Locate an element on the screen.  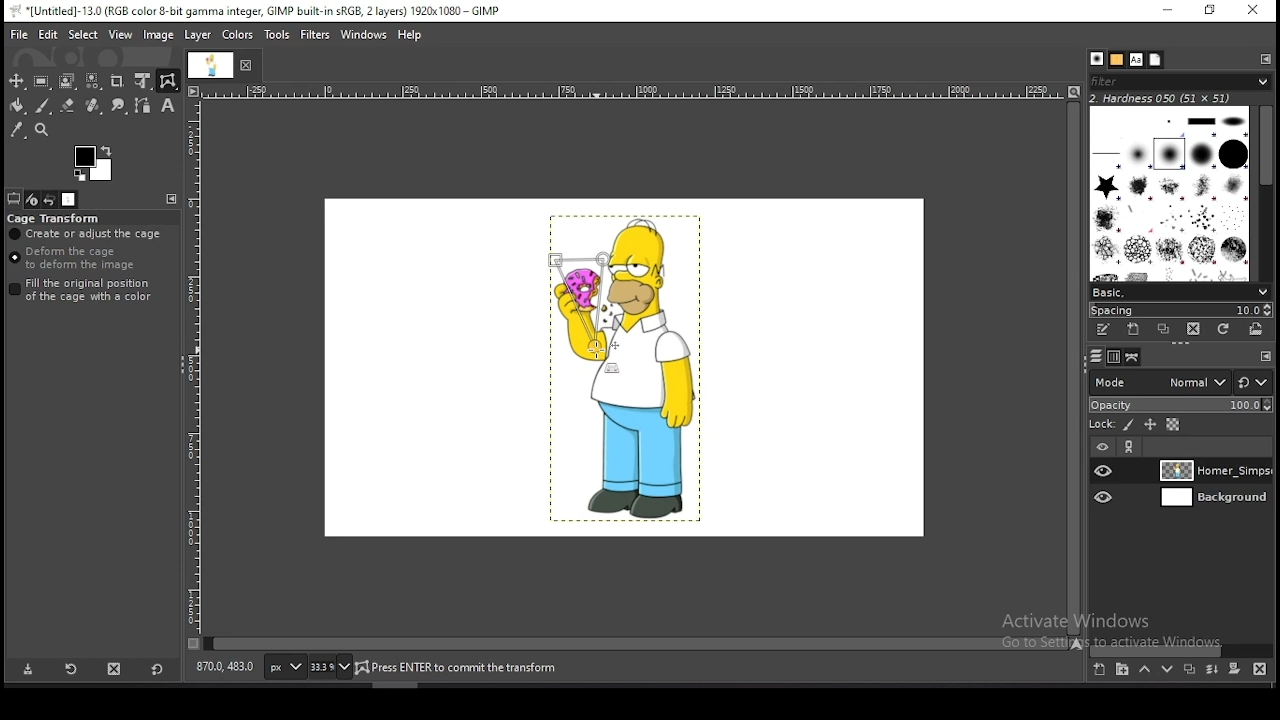
edit is located at coordinates (48, 35).